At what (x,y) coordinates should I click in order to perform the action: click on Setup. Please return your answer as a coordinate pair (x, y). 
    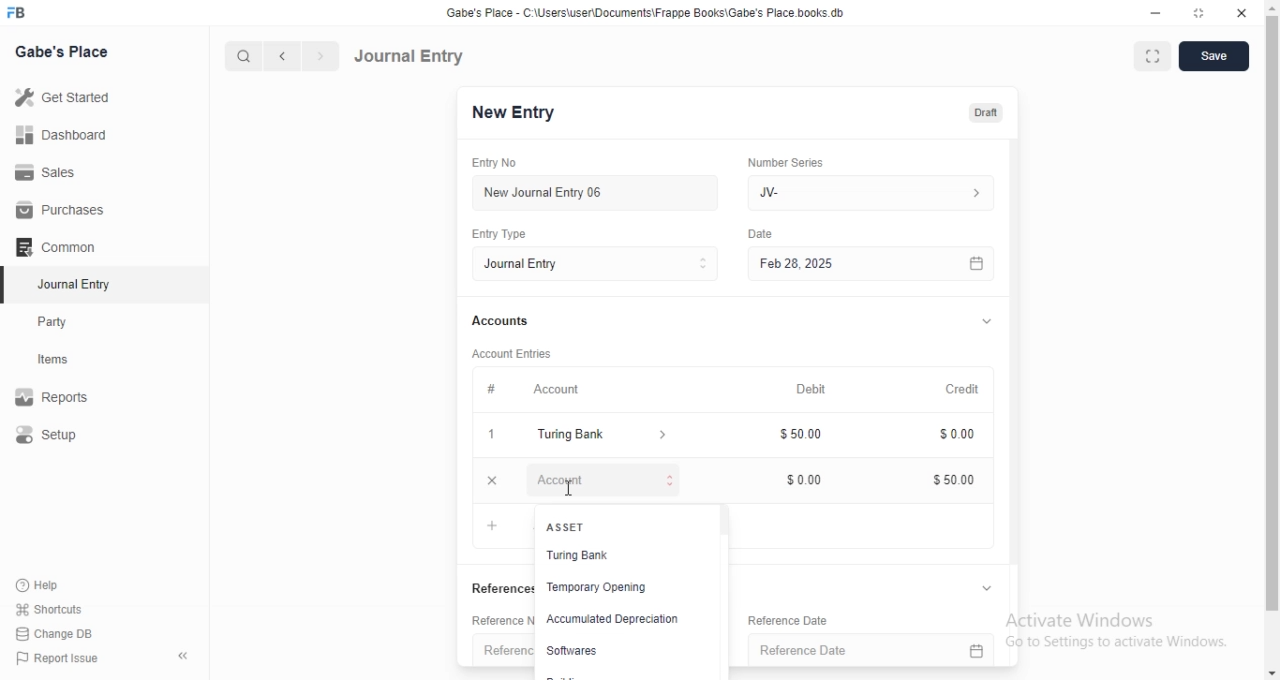
    Looking at the image, I should click on (66, 436).